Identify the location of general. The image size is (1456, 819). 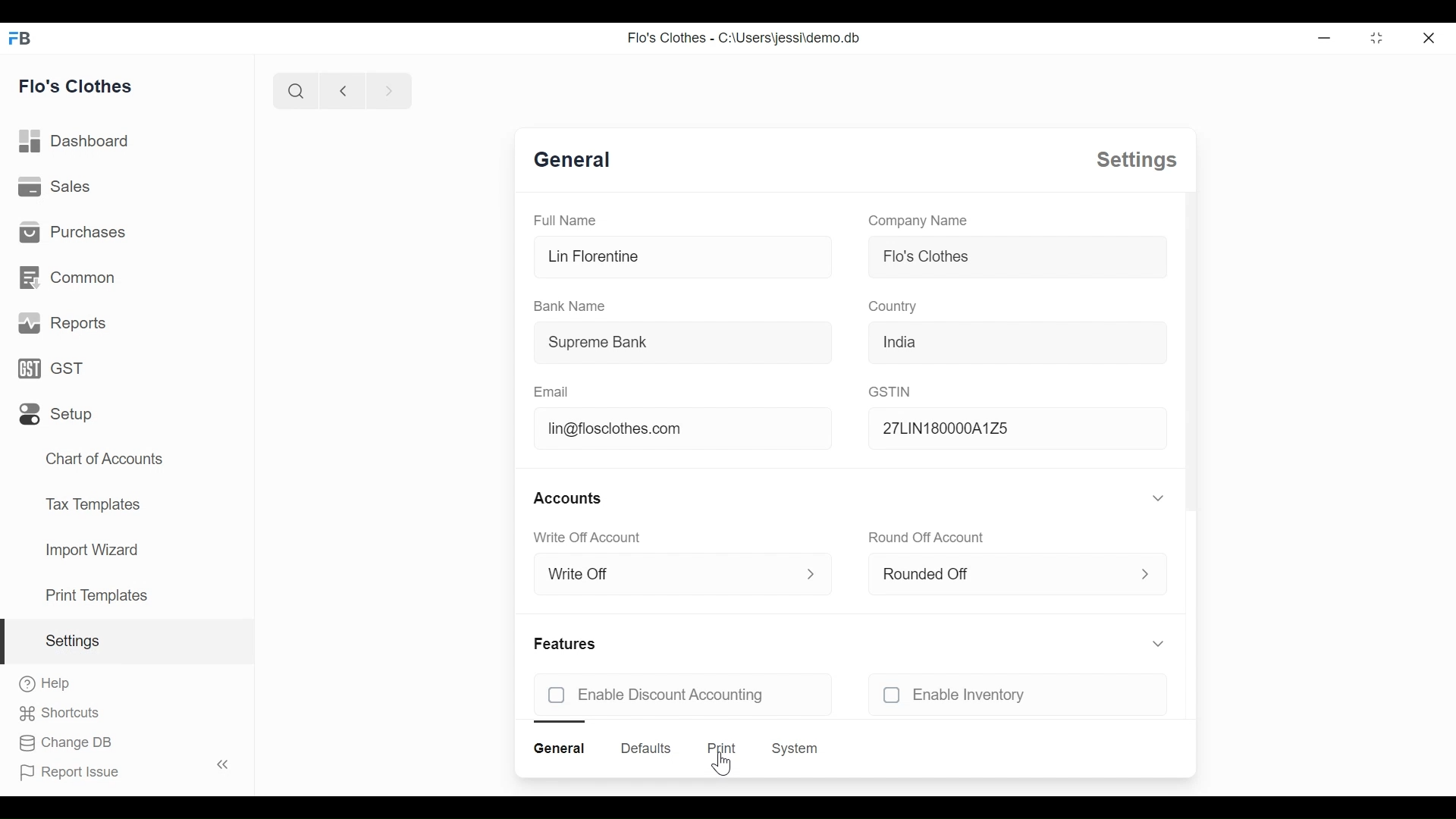
(559, 748).